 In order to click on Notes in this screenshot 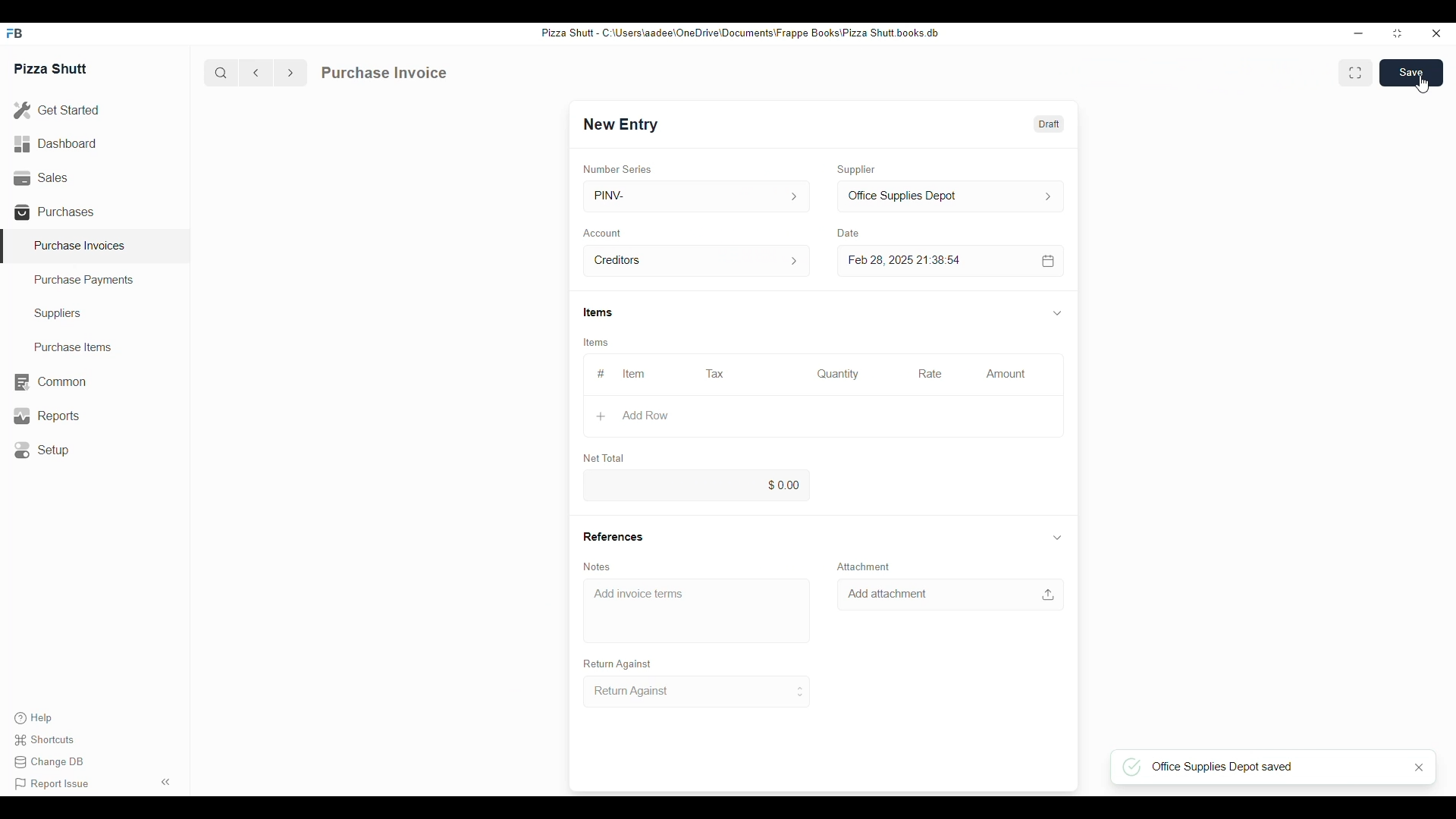, I will do `click(597, 566)`.